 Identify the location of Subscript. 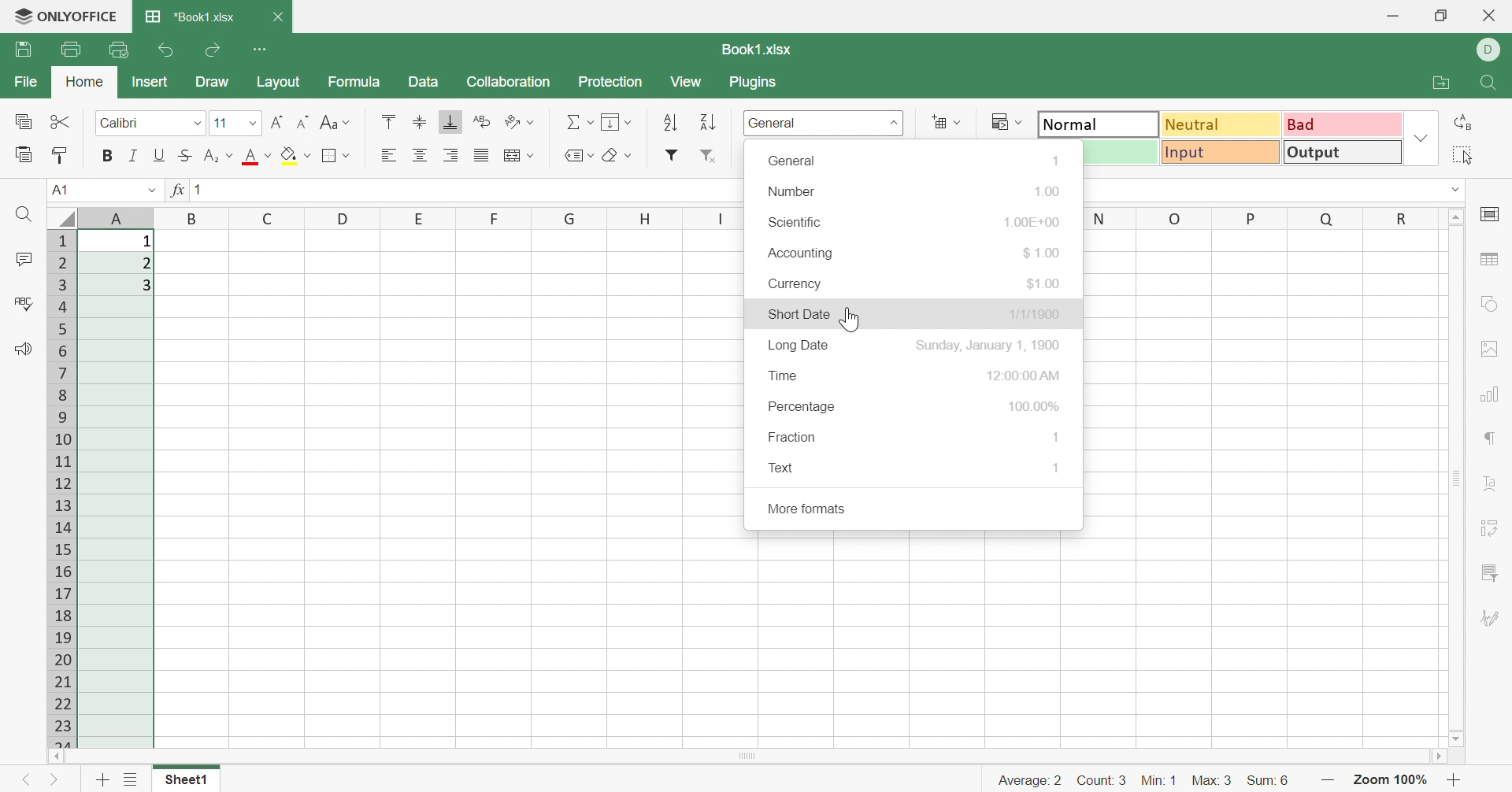
(217, 156).